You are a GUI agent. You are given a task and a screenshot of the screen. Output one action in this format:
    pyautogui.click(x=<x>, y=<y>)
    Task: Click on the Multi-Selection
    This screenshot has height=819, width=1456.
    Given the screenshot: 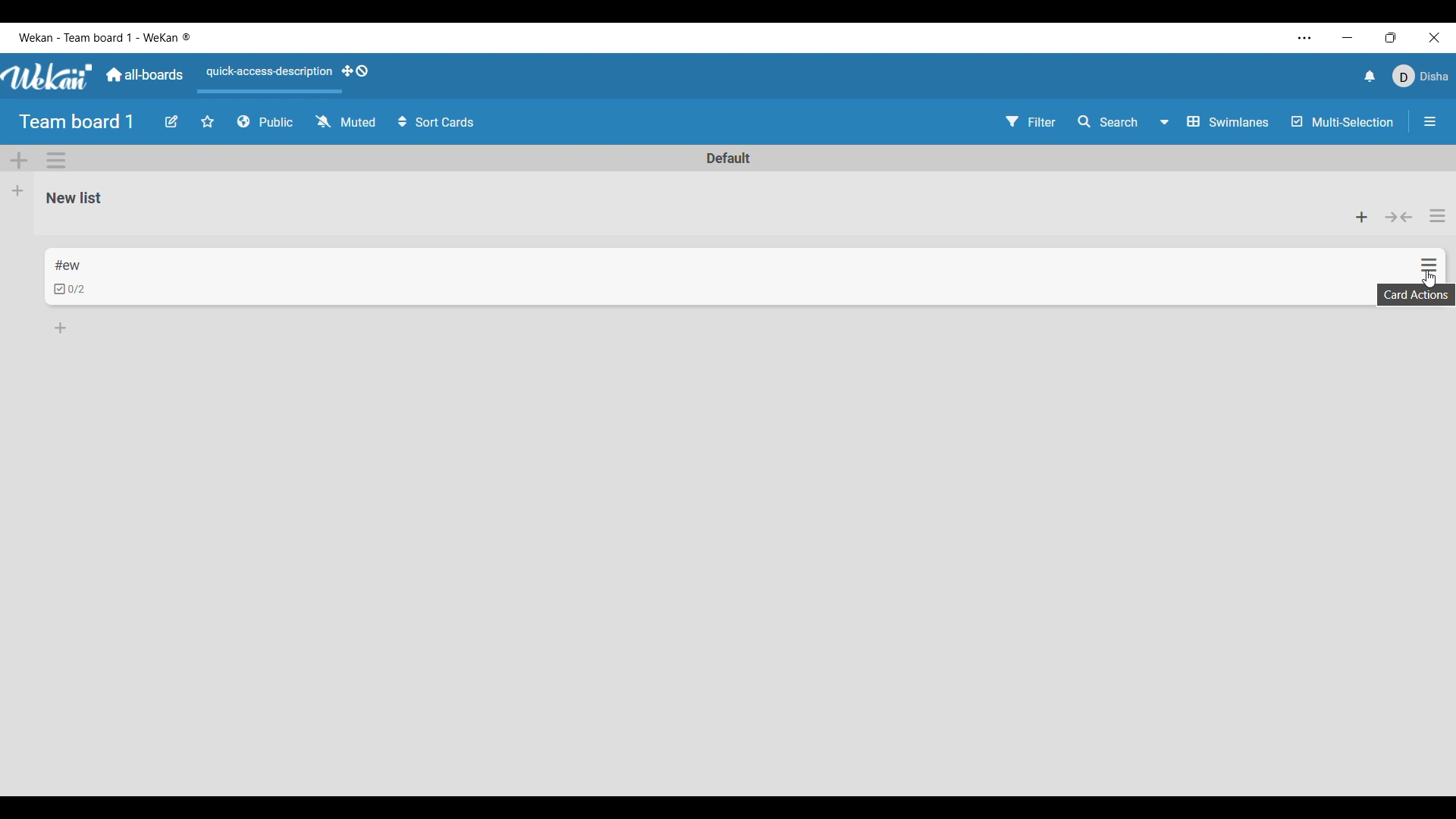 What is the action you would take?
    pyautogui.click(x=1344, y=122)
    